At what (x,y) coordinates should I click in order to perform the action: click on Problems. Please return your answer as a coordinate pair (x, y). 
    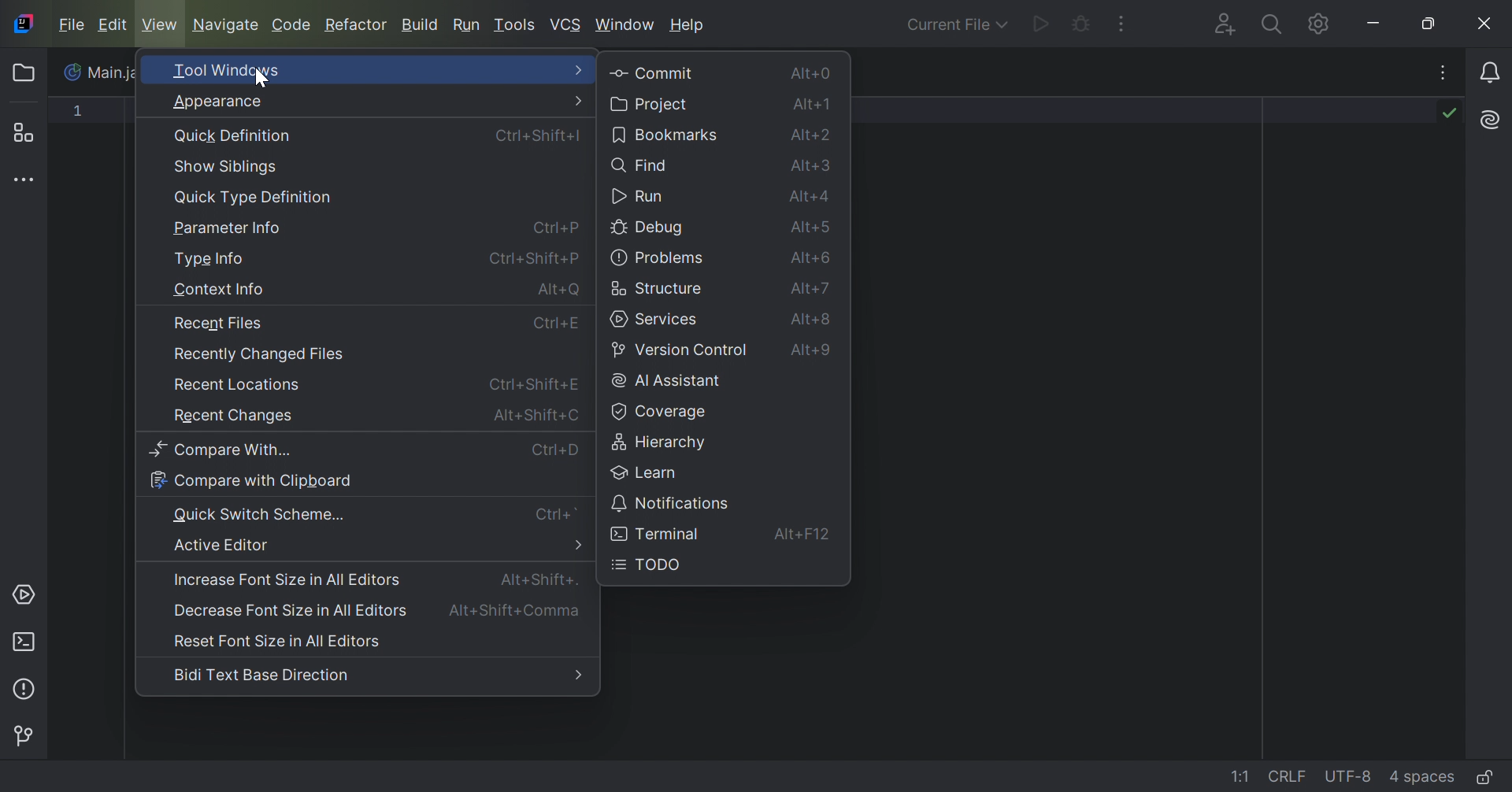
    Looking at the image, I should click on (28, 687).